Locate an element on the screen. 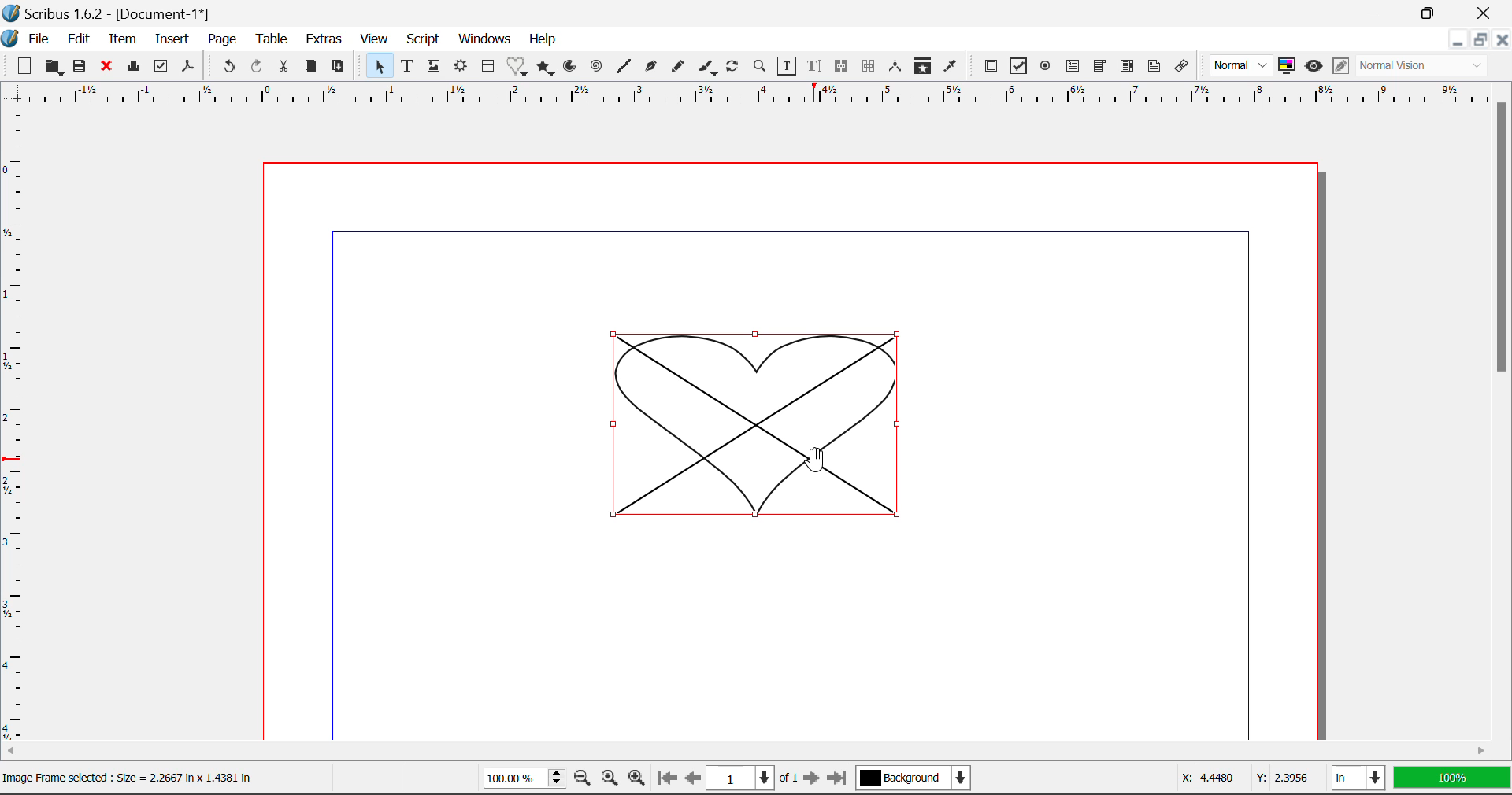  Scribus 1.6.2 - [Document-1*] is located at coordinates (109, 13).